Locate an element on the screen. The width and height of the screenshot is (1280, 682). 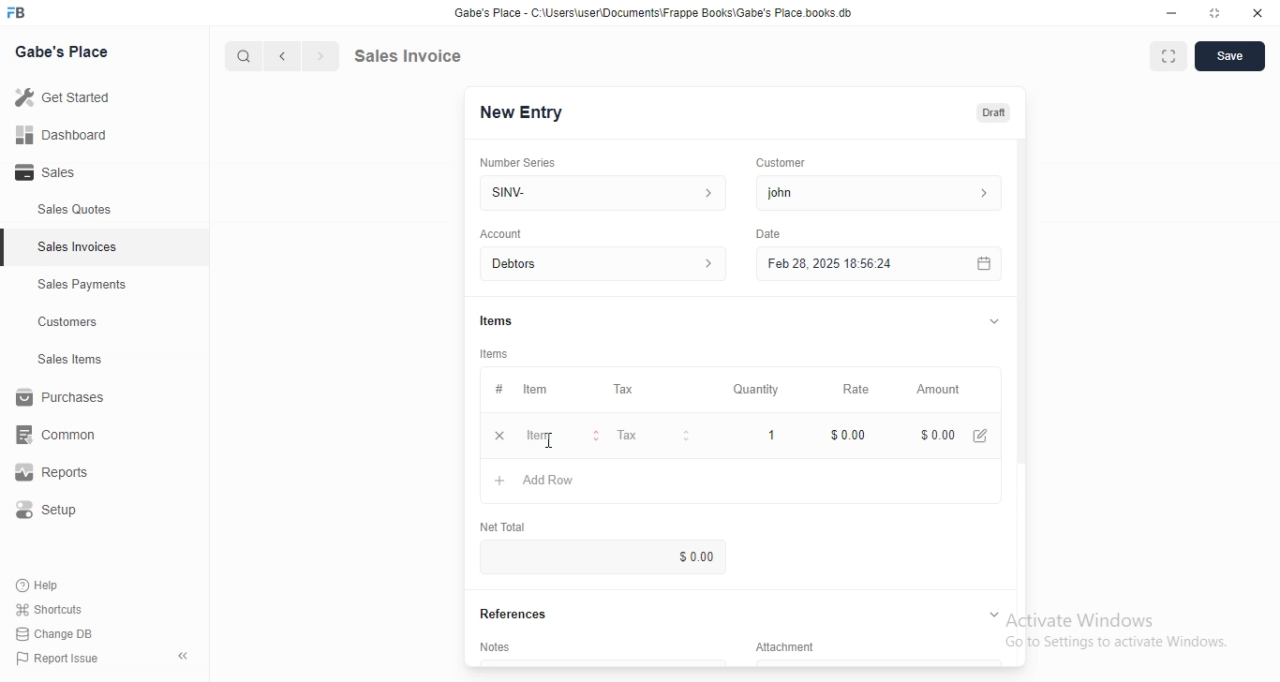
Shortcuts is located at coordinates (61, 608).